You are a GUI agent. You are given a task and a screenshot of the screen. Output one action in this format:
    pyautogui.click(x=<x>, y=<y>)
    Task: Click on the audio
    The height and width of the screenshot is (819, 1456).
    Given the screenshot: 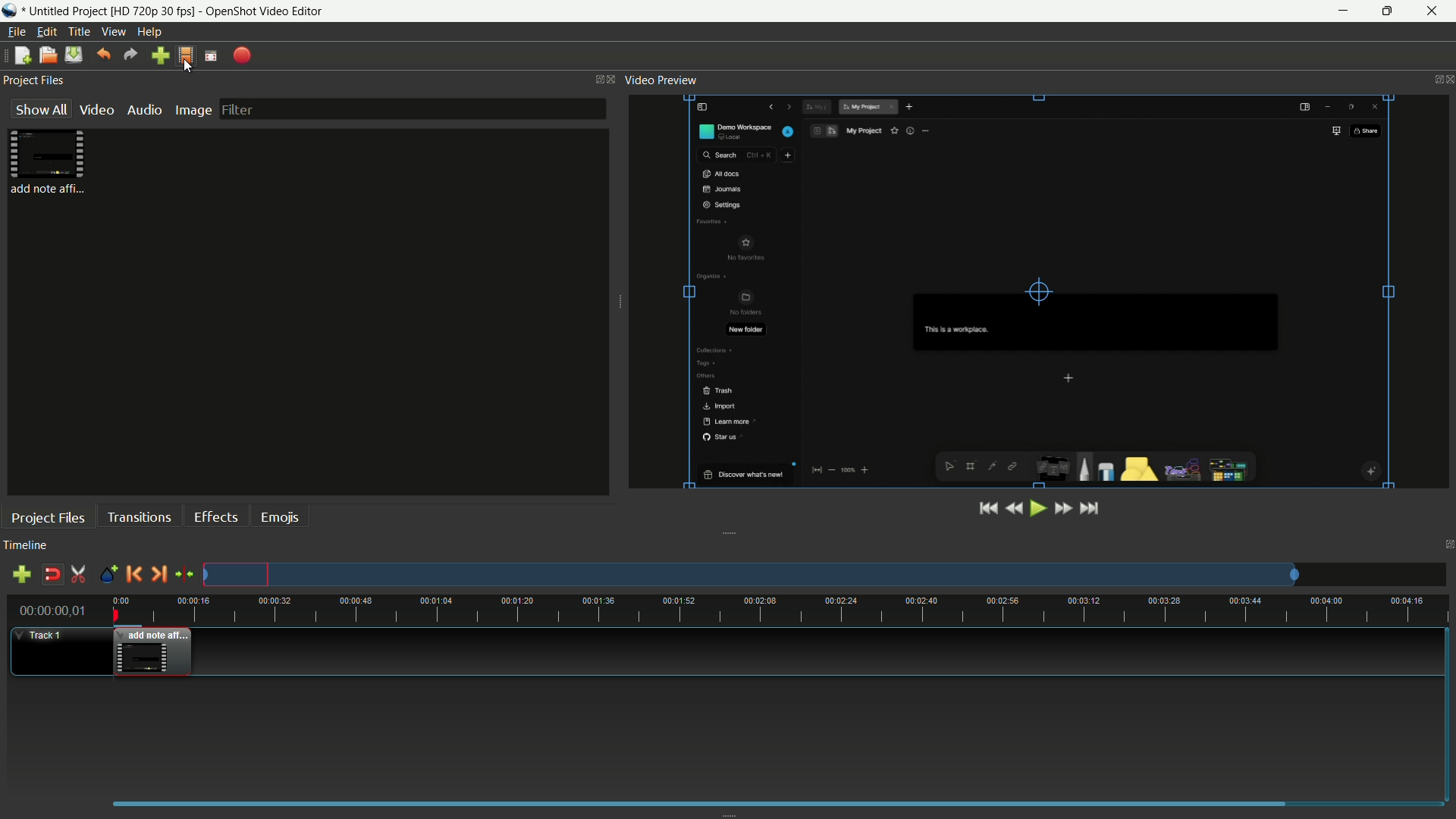 What is the action you would take?
    pyautogui.click(x=143, y=111)
    